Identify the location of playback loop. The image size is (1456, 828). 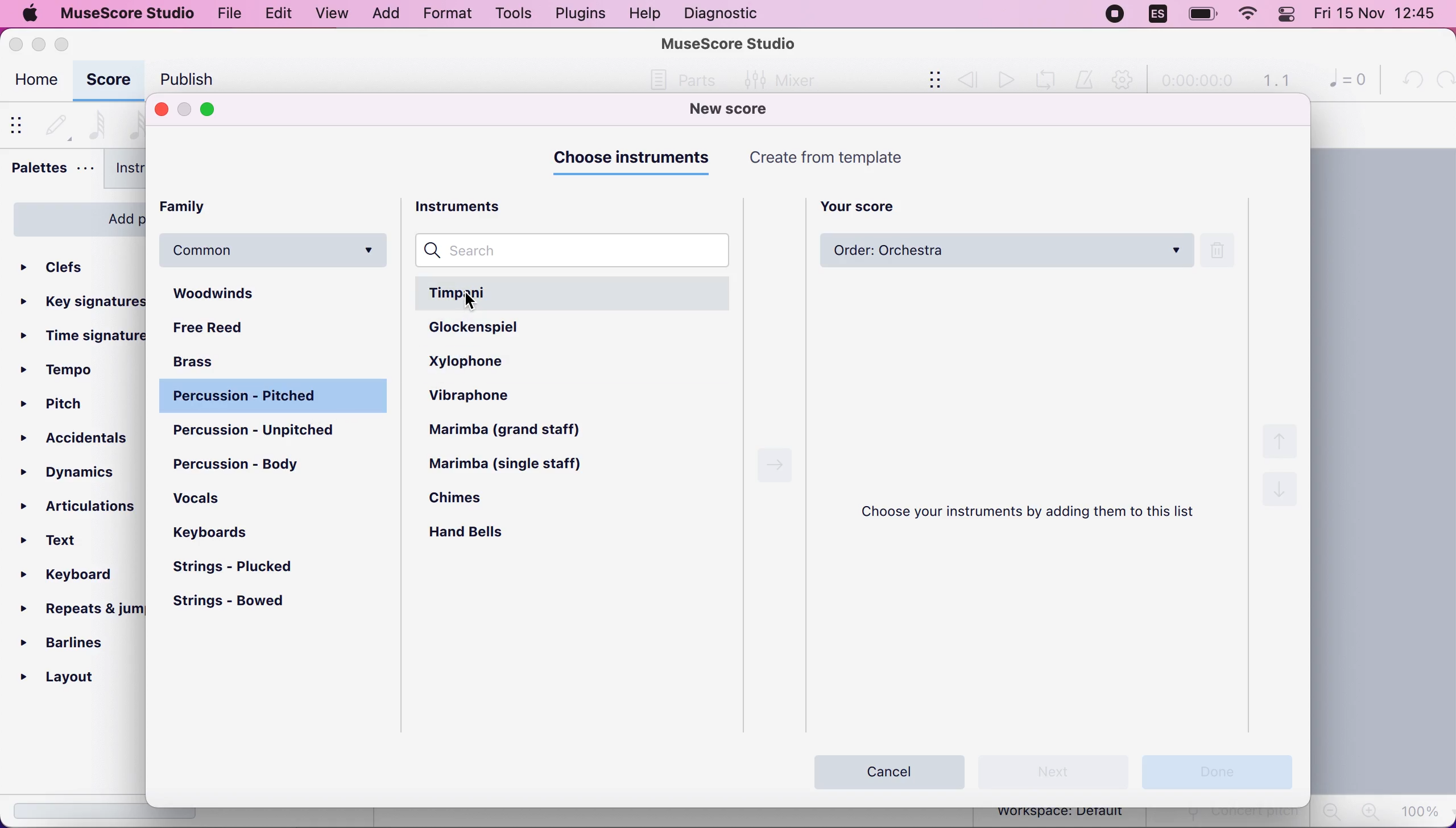
(1049, 78).